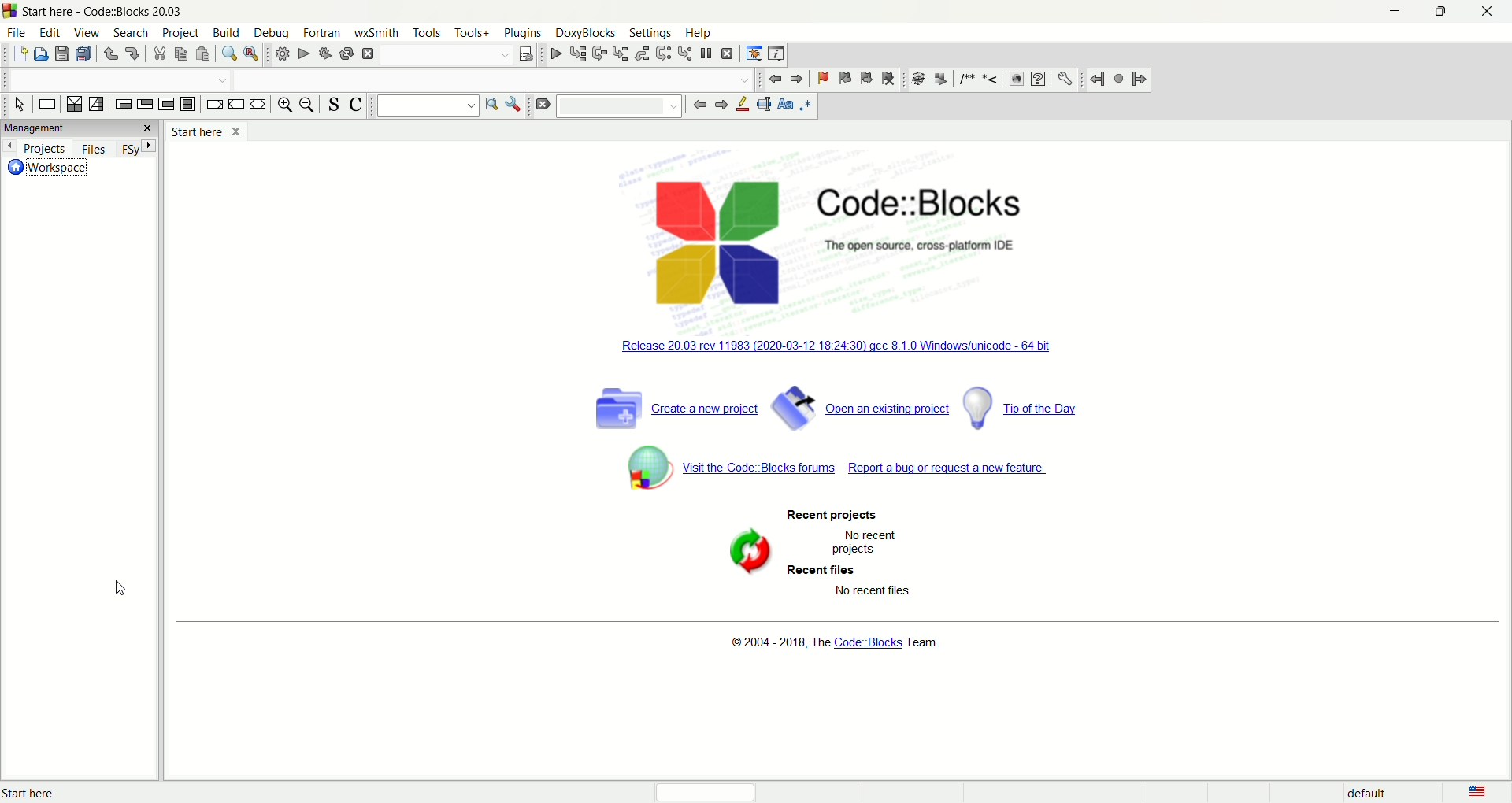 Image resolution: width=1512 pixels, height=803 pixels. Describe the element at coordinates (50, 168) in the screenshot. I see `workspace` at that location.